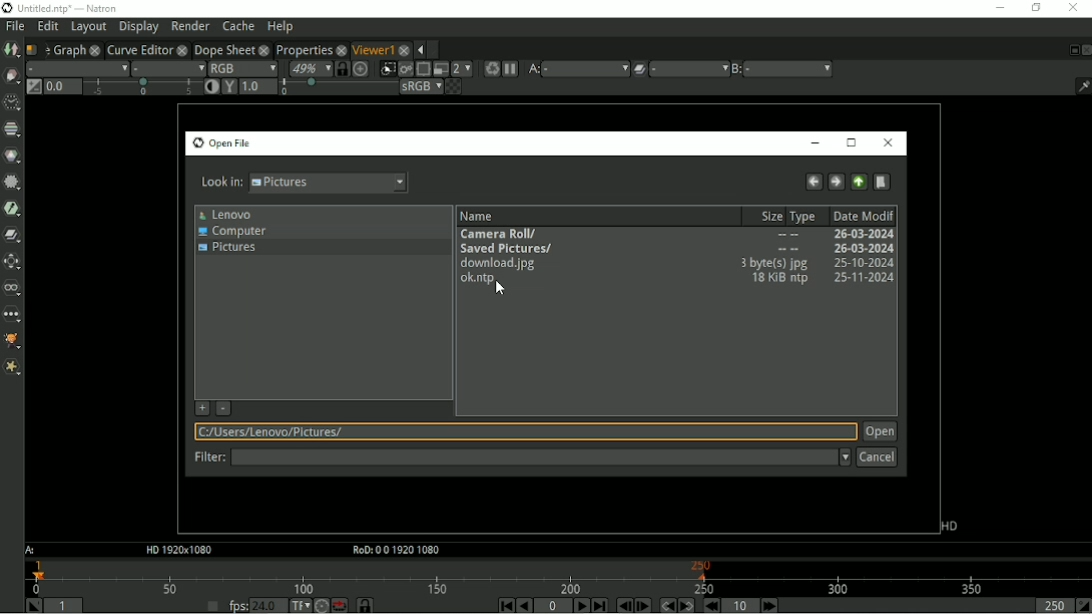 Image resolution: width=1092 pixels, height=614 pixels. Describe the element at coordinates (524, 605) in the screenshot. I see `Play backward` at that location.